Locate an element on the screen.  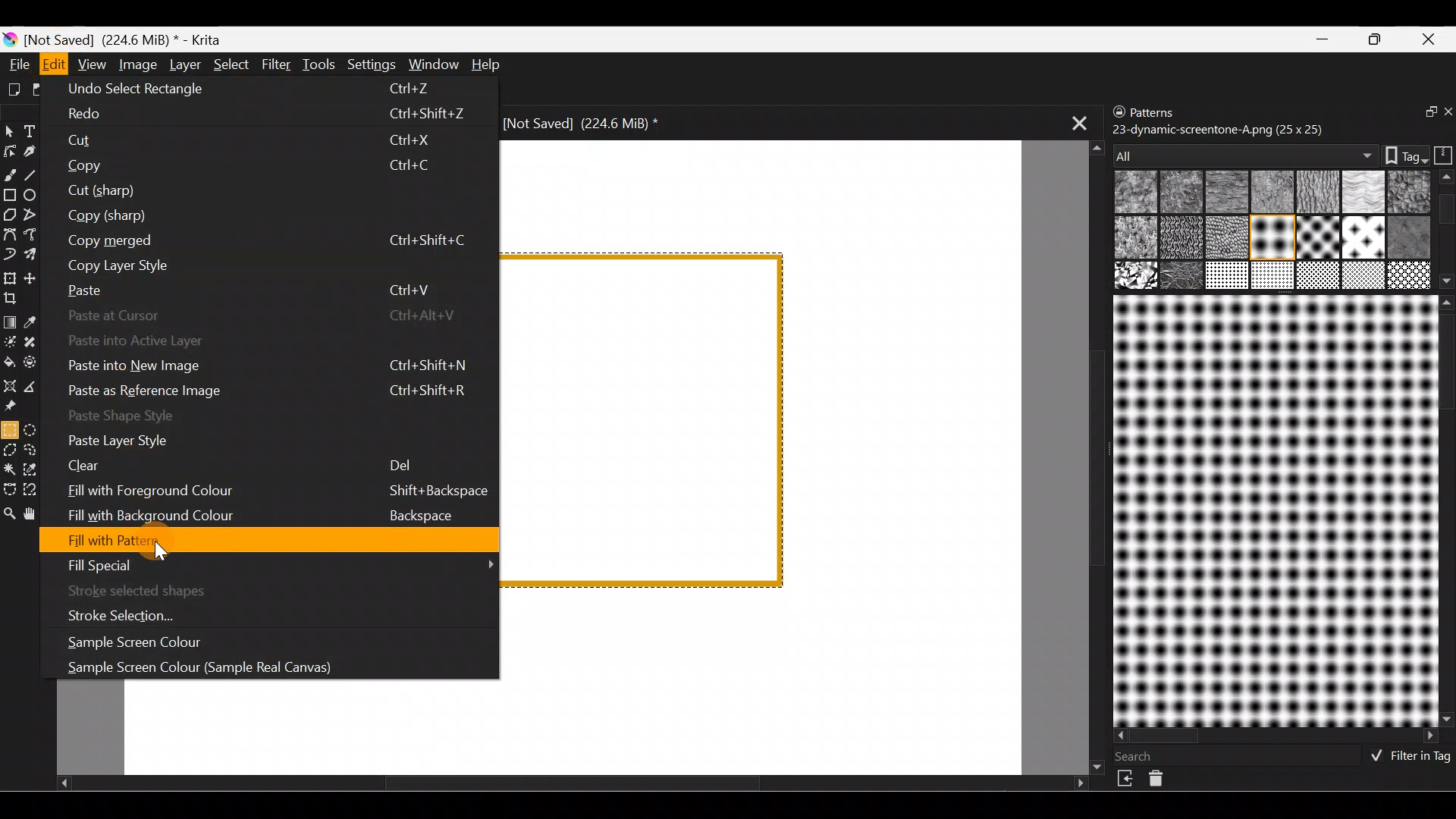
Reference images tool is located at coordinates (17, 406).